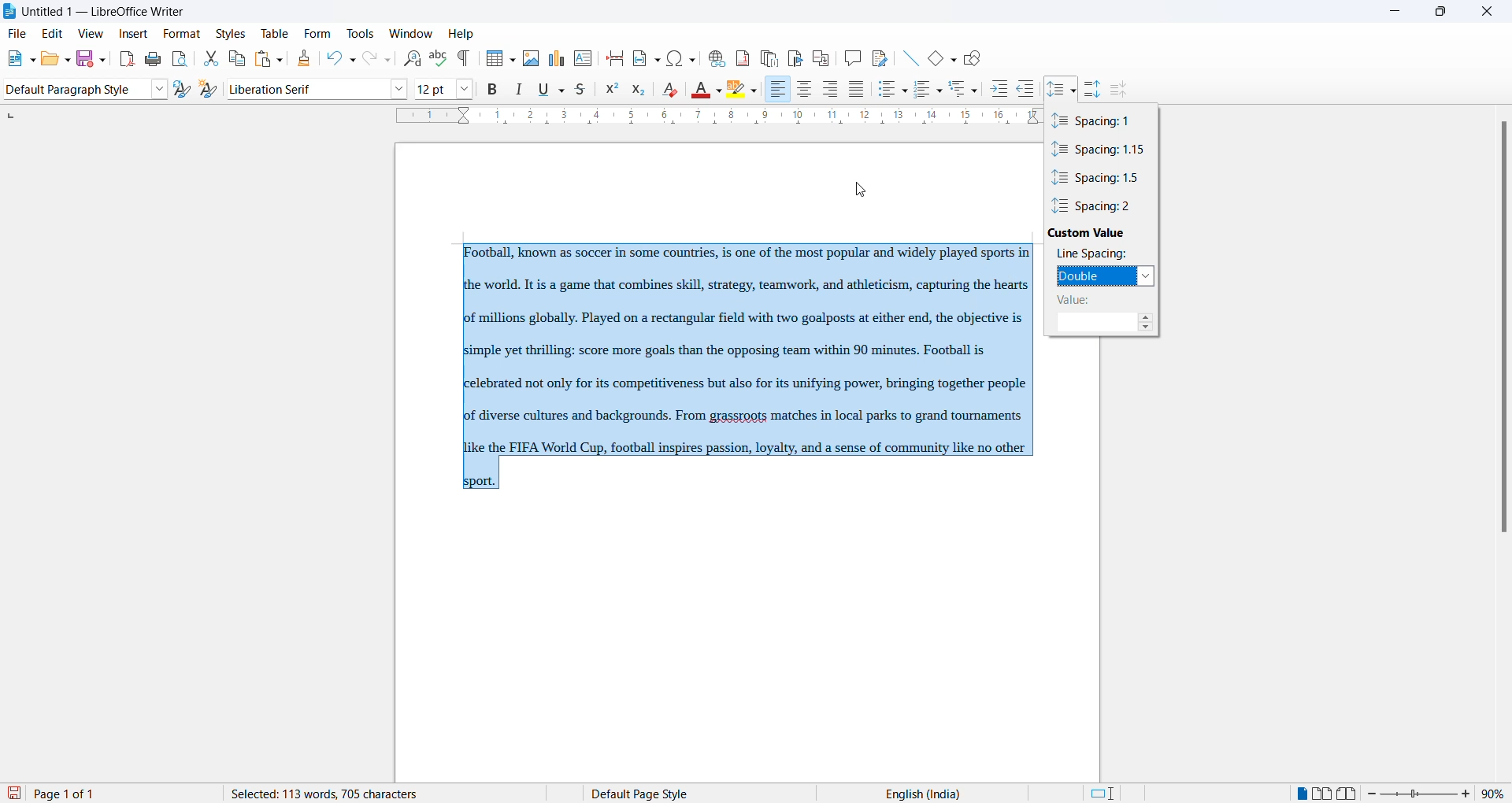  I want to click on outline format , so click(955, 91).